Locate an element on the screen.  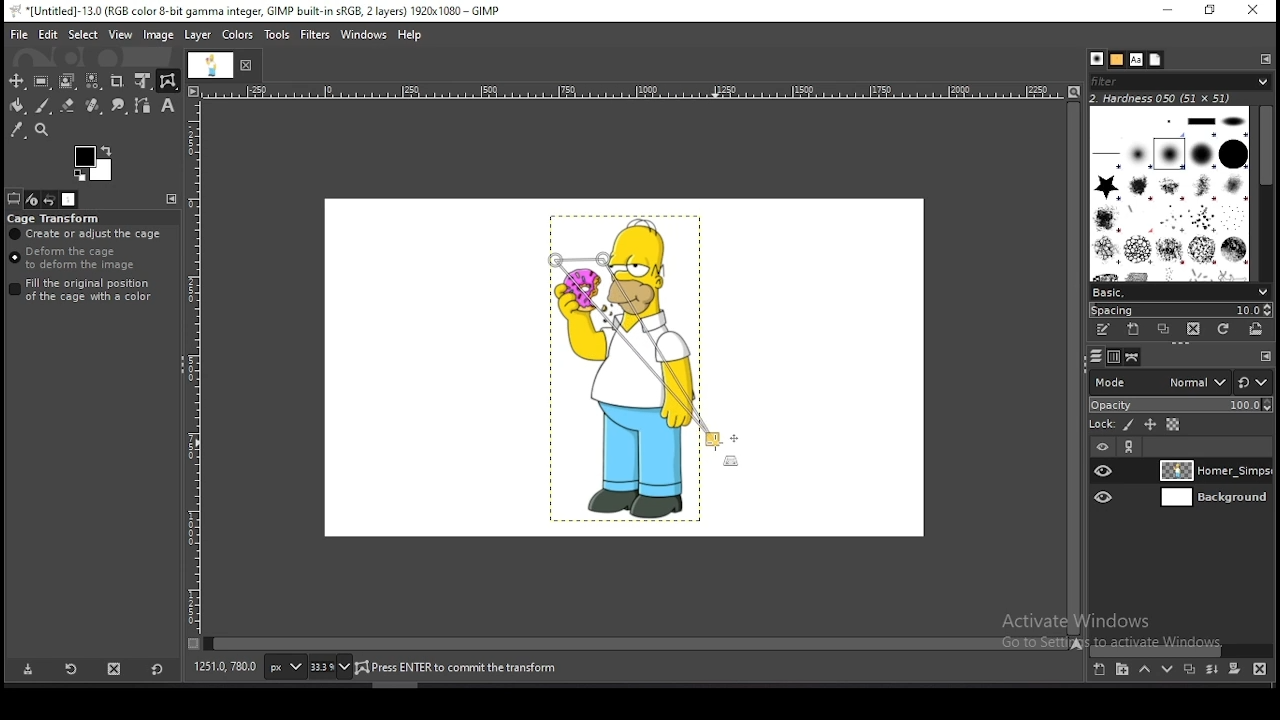
text tool is located at coordinates (167, 106).